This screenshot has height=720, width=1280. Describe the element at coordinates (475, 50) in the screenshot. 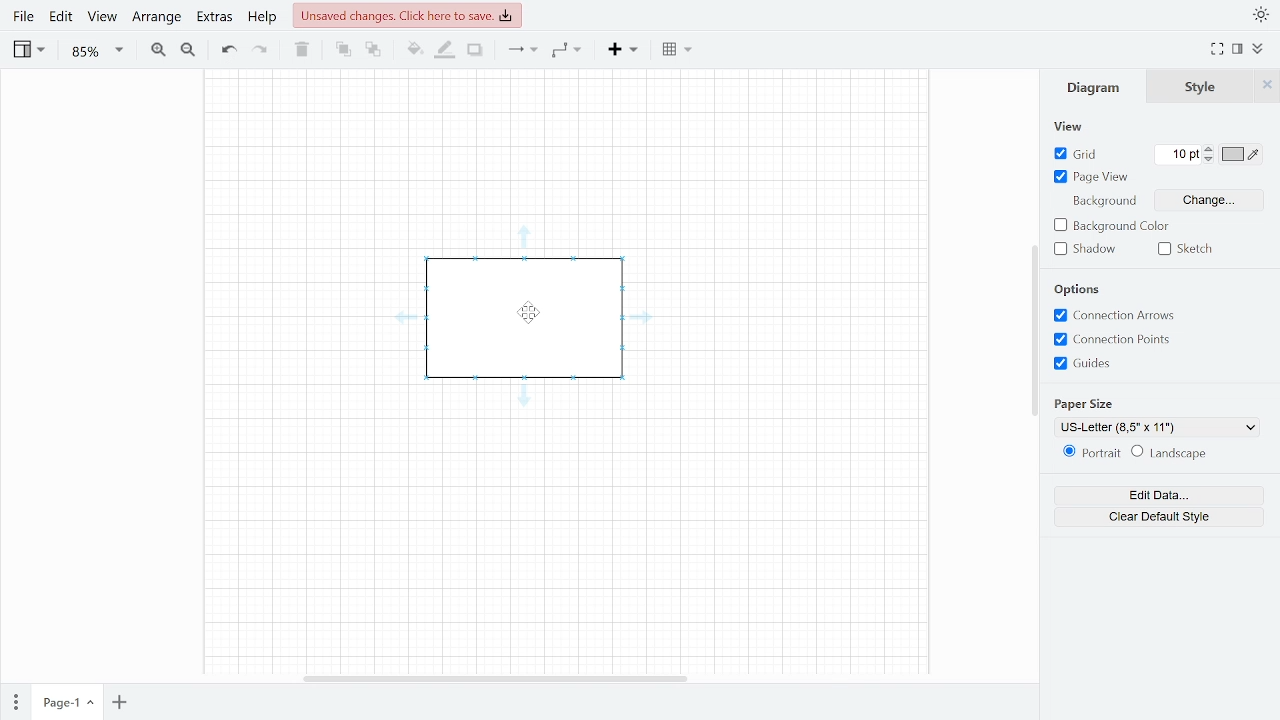

I see `Shadow` at that location.